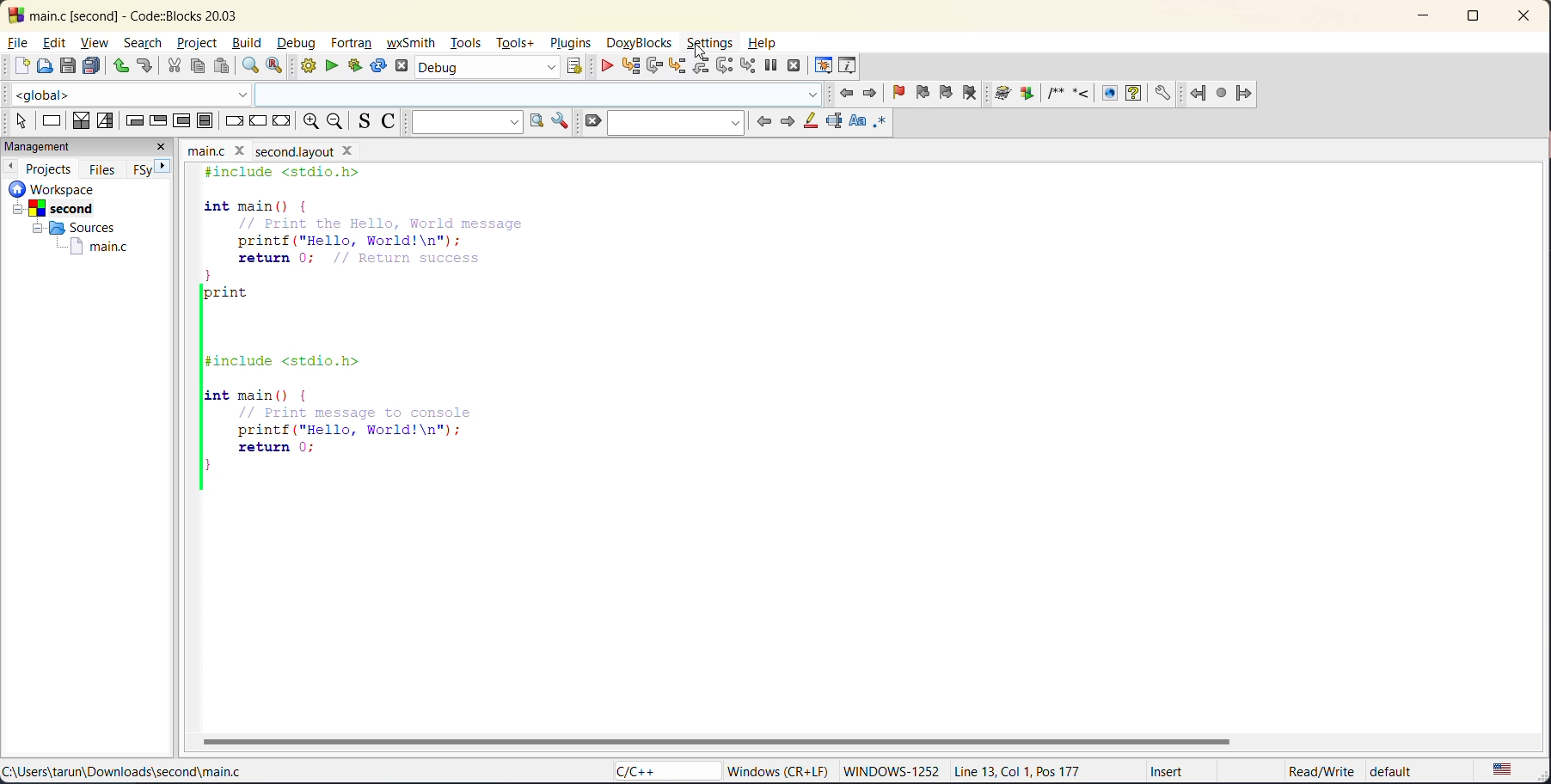 The width and height of the screenshot is (1551, 784). Describe the element at coordinates (1407, 772) in the screenshot. I see `default` at that location.